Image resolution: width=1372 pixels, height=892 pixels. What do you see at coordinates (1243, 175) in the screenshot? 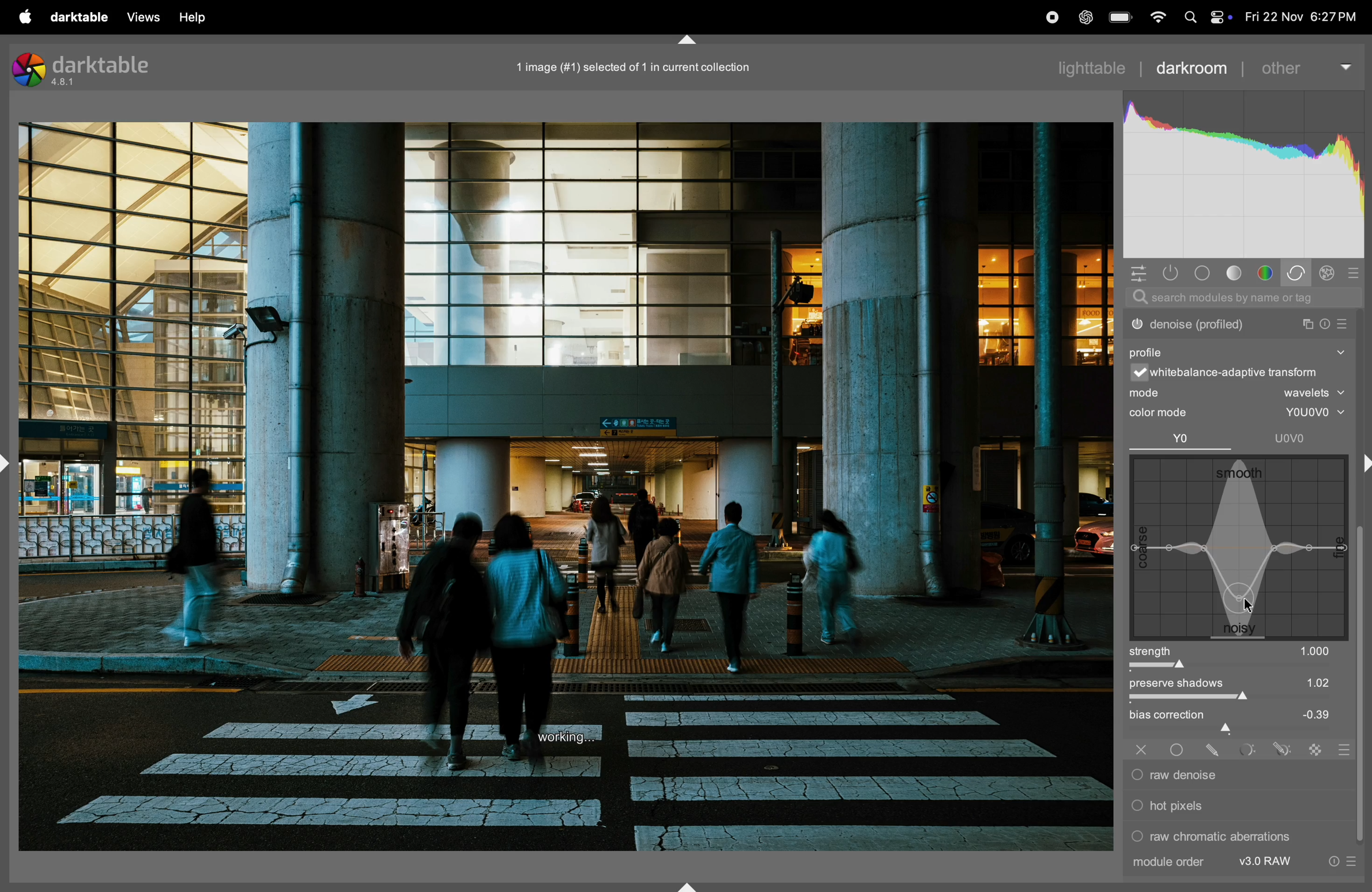
I see `histogram` at bounding box center [1243, 175].